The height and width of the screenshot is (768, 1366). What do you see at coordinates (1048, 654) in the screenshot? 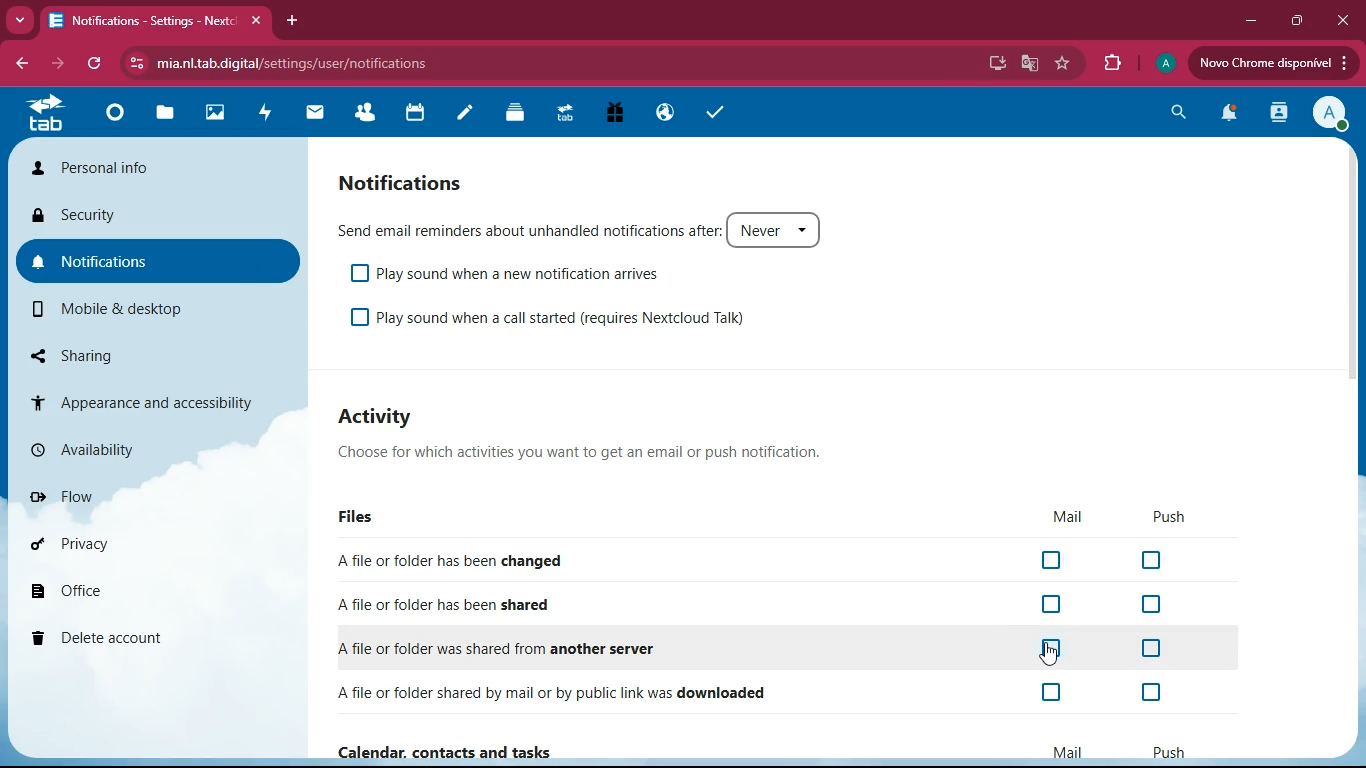
I see `cursor` at bounding box center [1048, 654].